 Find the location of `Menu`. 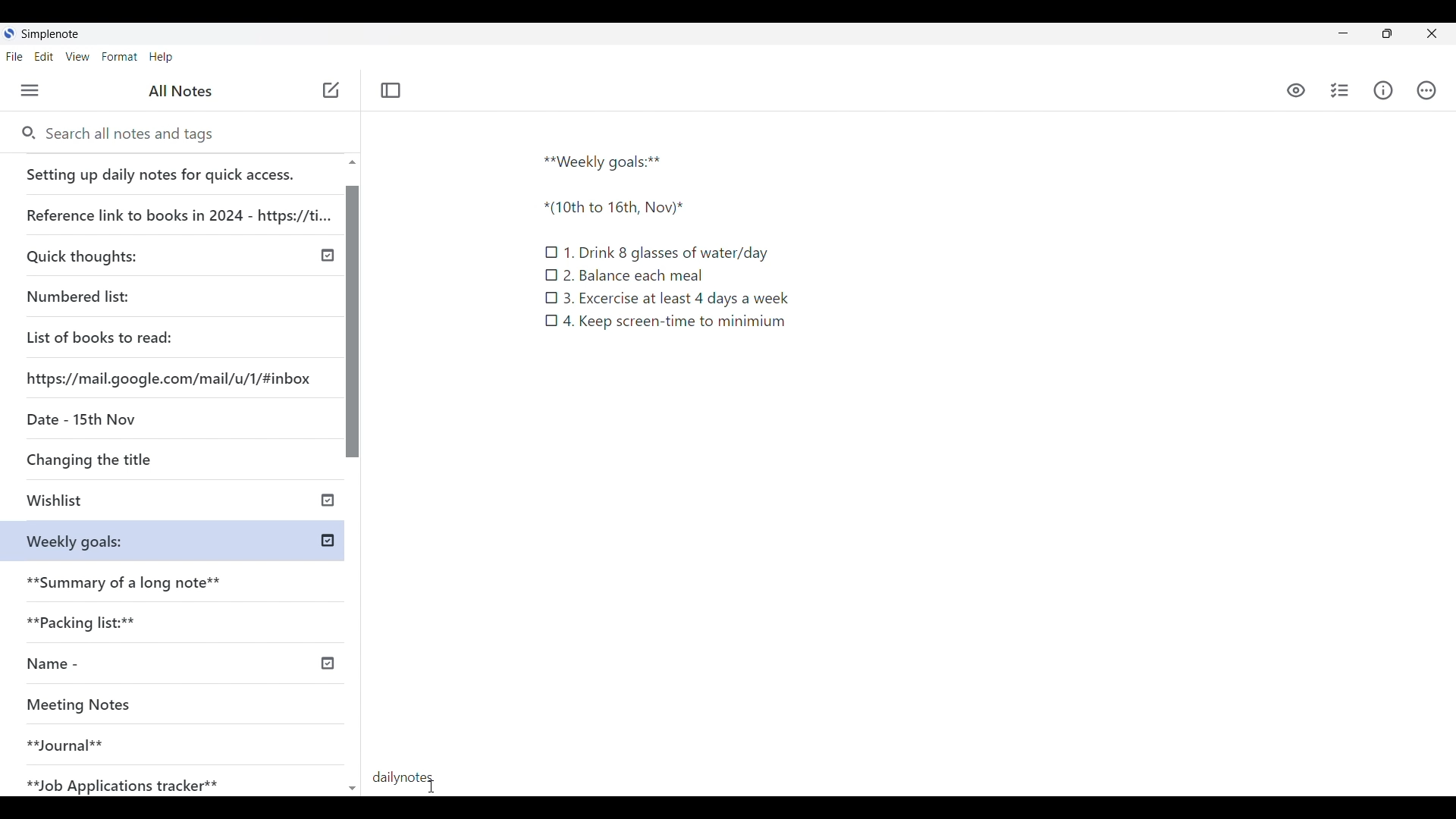

Menu is located at coordinates (30, 90).